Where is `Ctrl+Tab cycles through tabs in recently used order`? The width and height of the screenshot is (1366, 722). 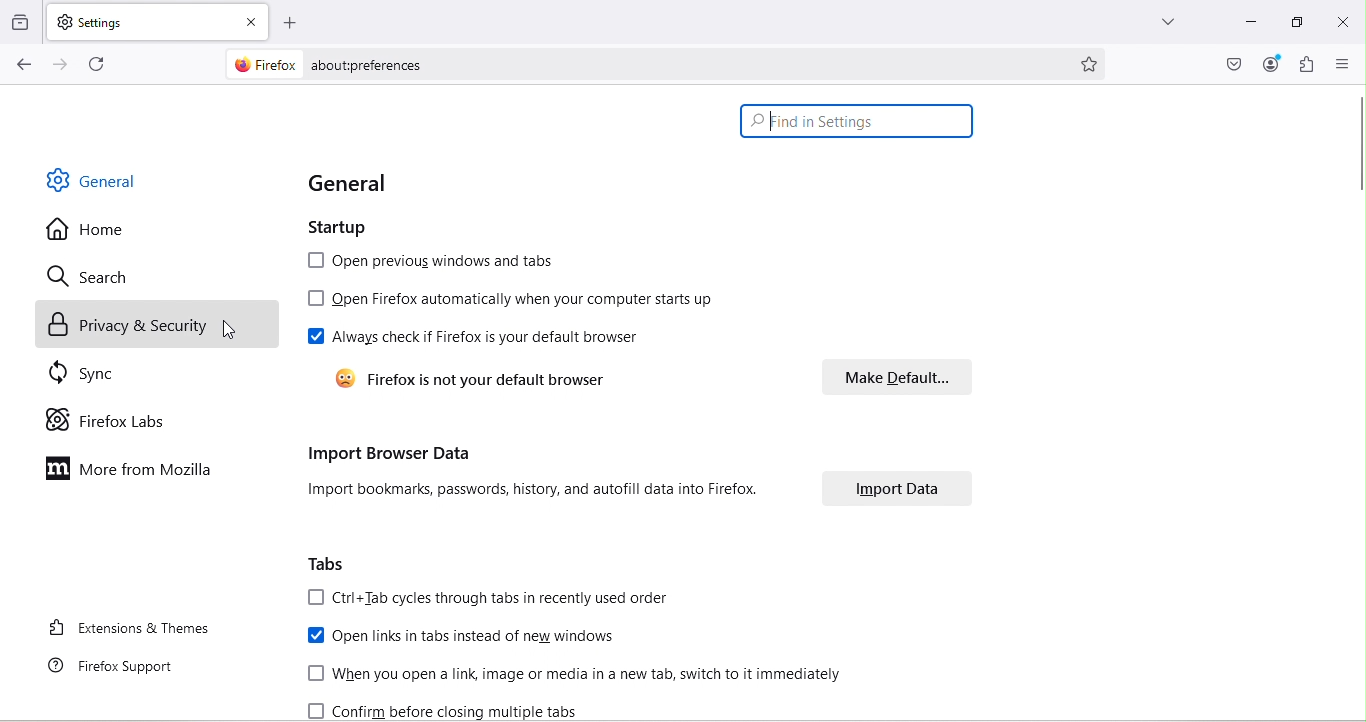 Ctrl+Tab cycles through tabs in recently used order is located at coordinates (492, 598).